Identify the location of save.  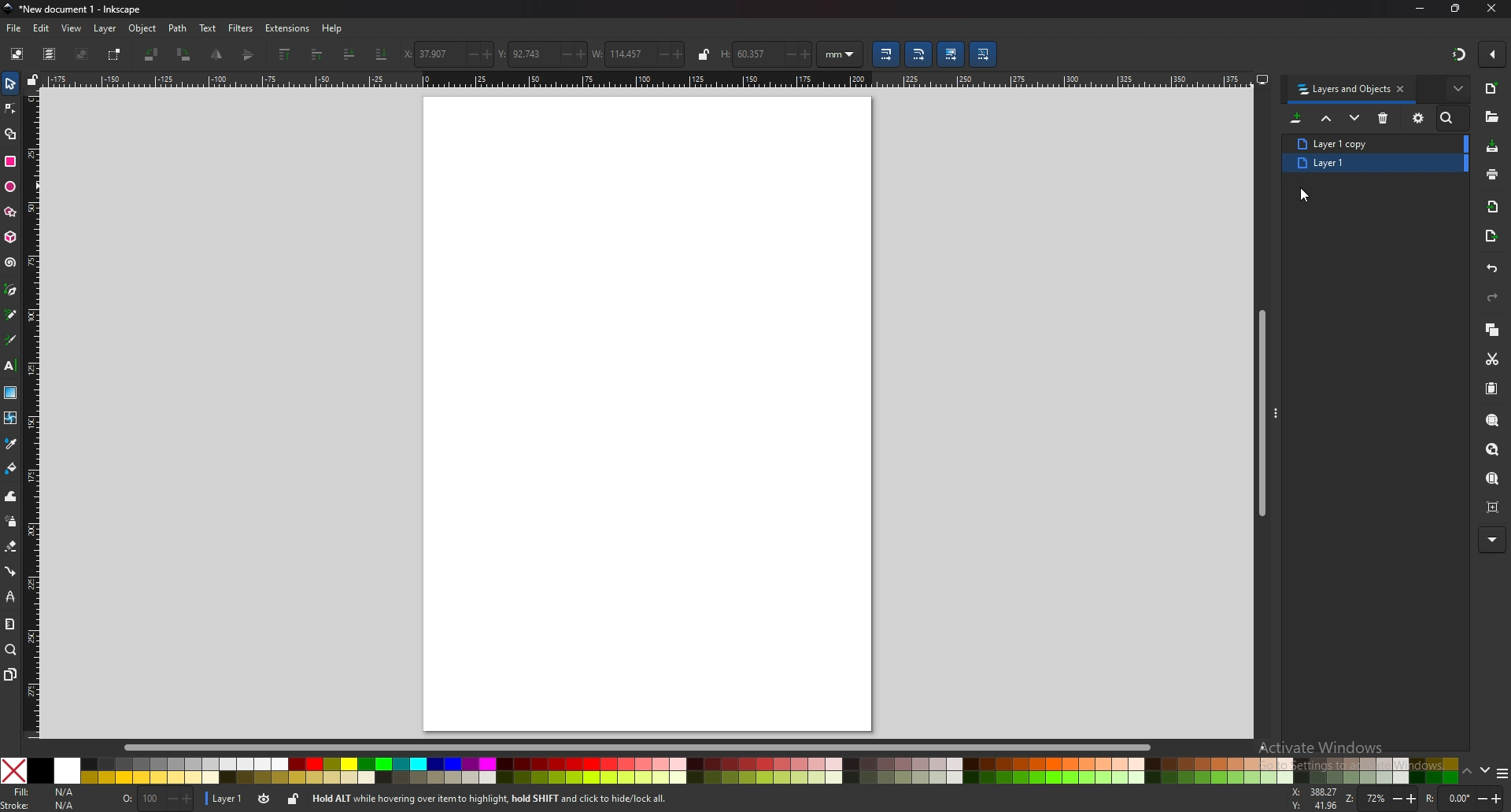
(1491, 146).